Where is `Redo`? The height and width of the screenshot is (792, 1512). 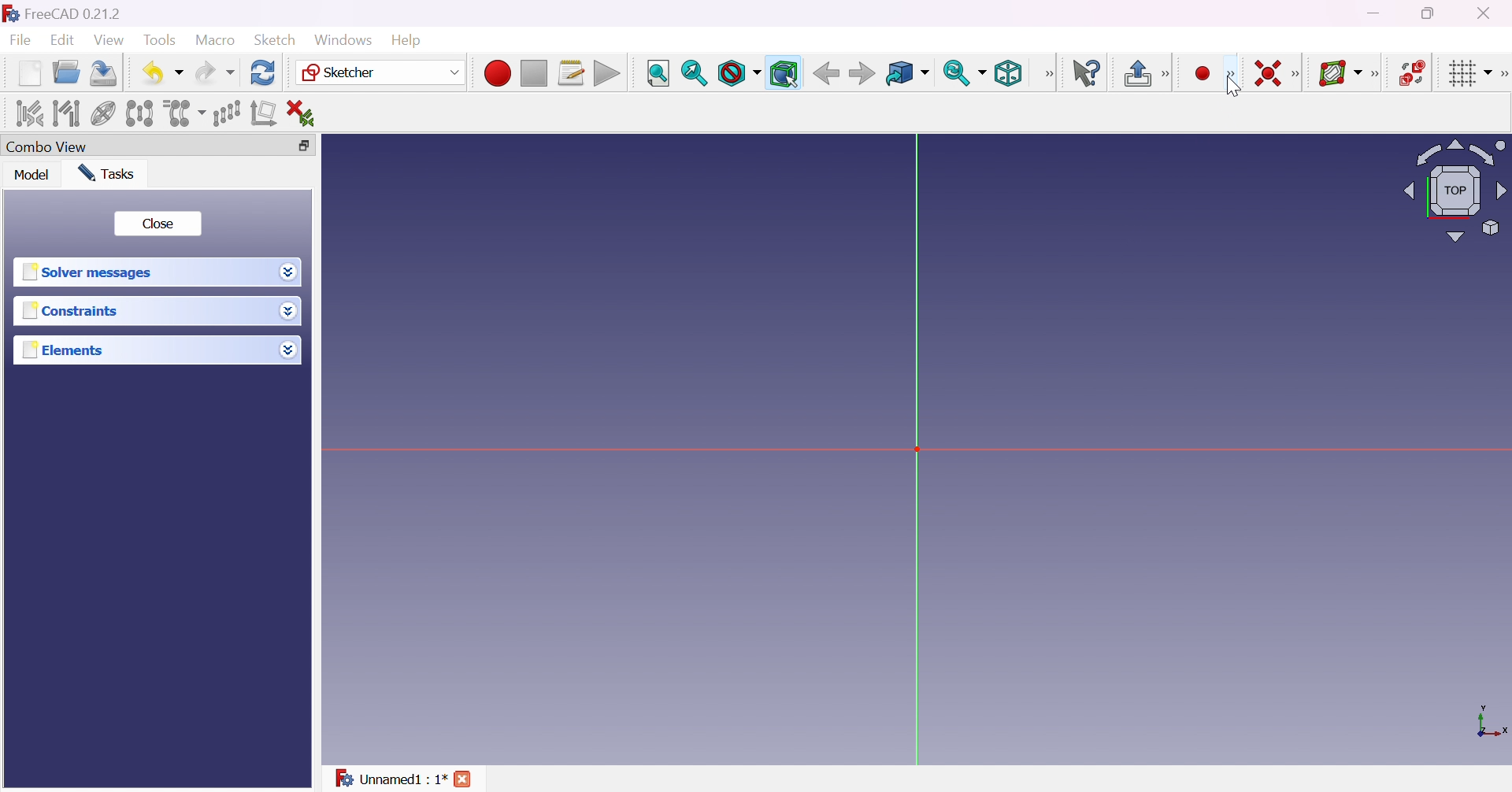
Redo is located at coordinates (215, 72).